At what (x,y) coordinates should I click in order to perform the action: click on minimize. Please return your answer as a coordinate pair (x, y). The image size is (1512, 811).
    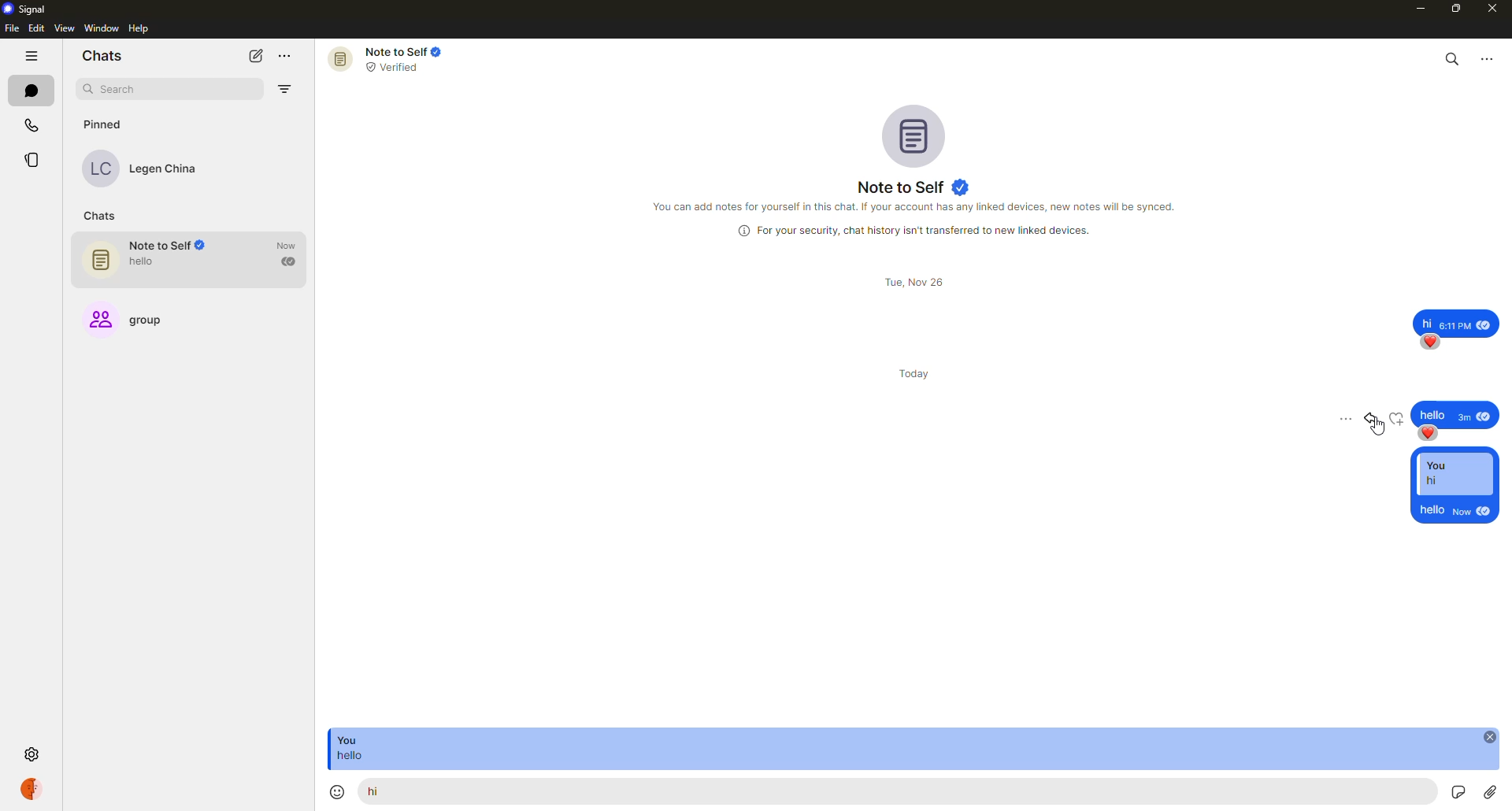
    Looking at the image, I should click on (1418, 9).